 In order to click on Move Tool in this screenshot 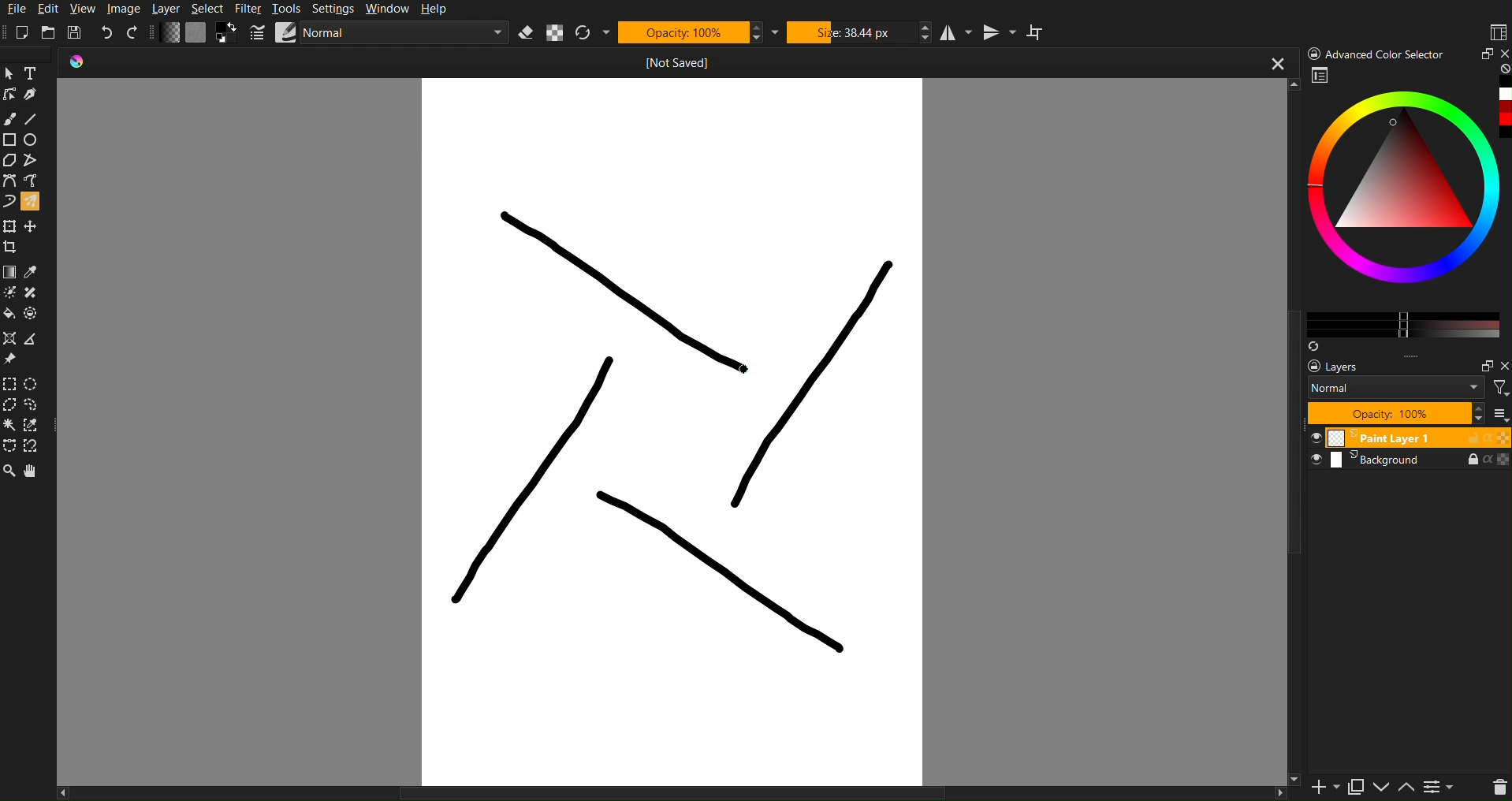, I will do `click(34, 225)`.